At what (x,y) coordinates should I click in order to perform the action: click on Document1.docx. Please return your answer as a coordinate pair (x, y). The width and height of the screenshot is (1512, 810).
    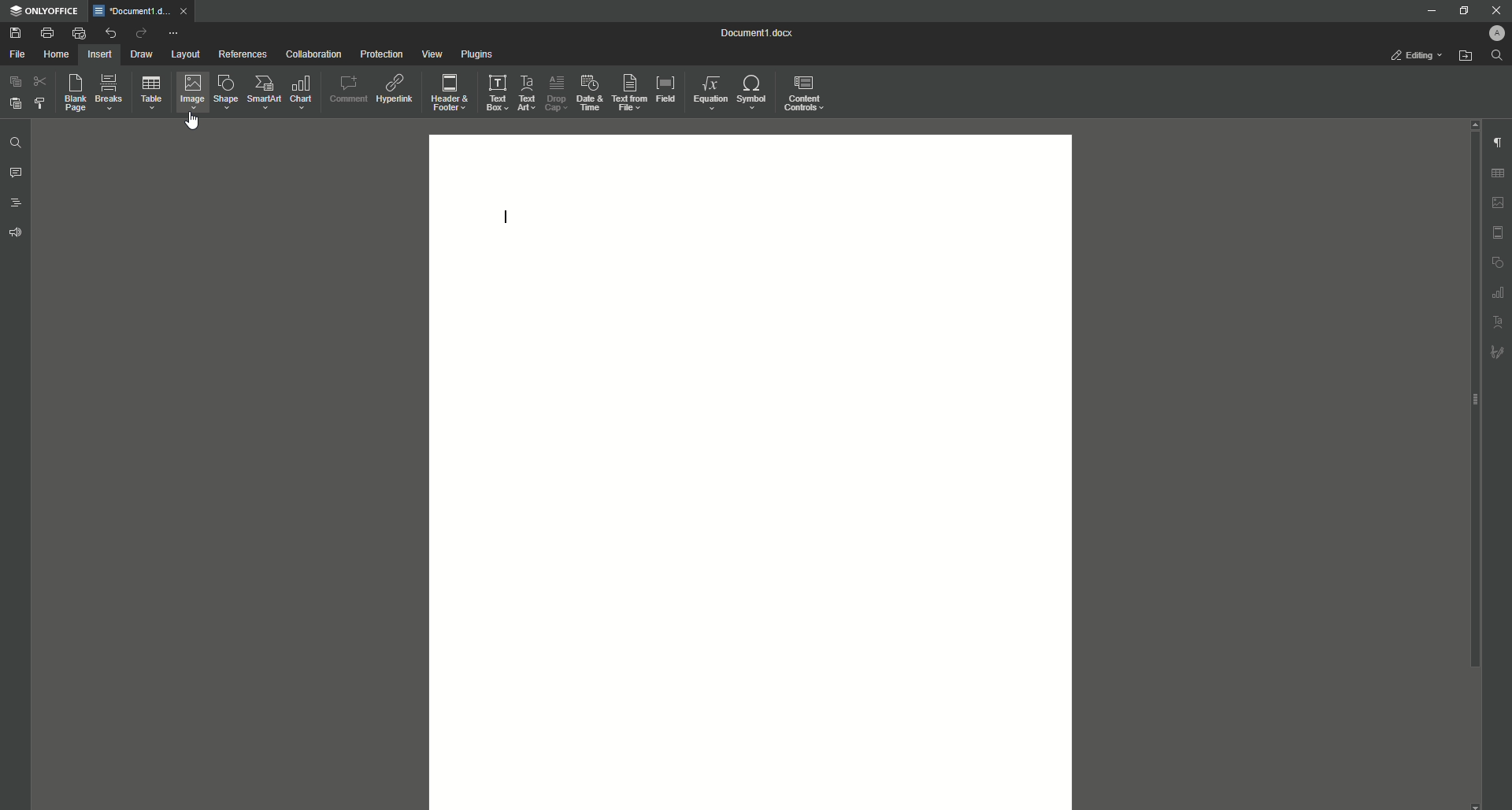
    Looking at the image, I should click on (132, 12).